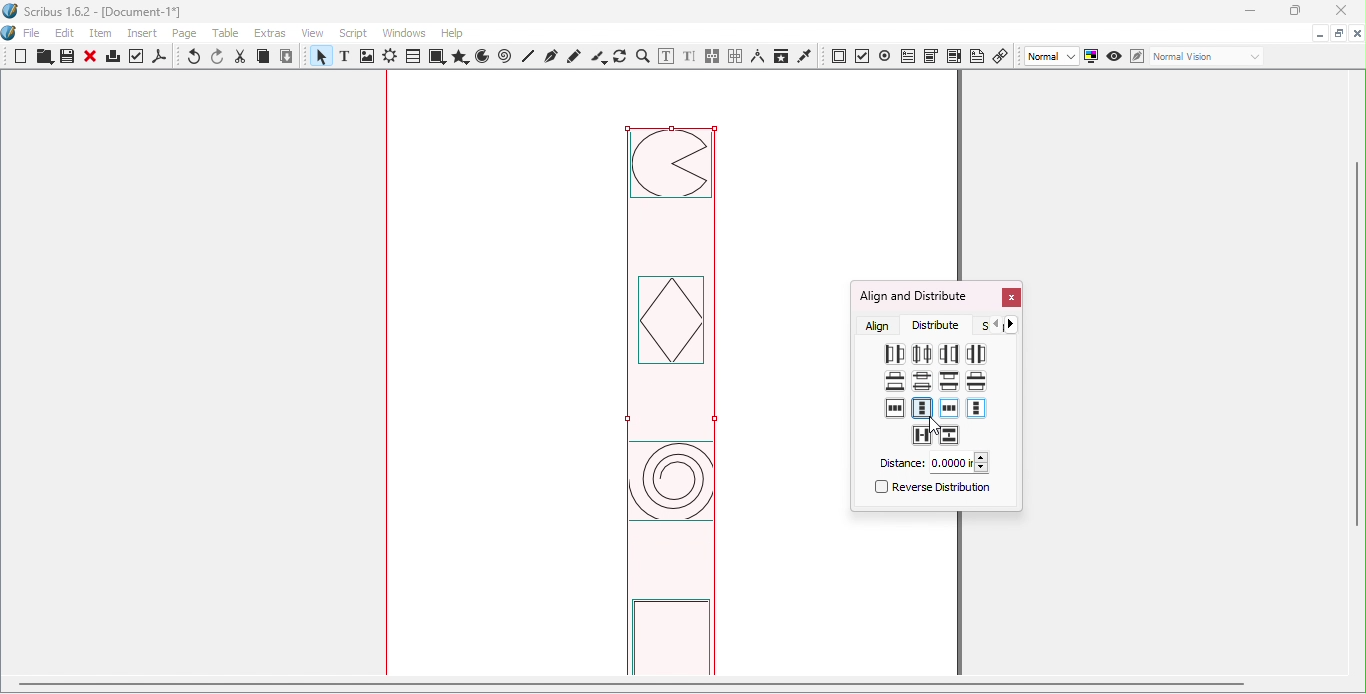  What do you see at coordinates (879, 325) in the screenshot?
I see `Align` at bounding box center [879, 325].